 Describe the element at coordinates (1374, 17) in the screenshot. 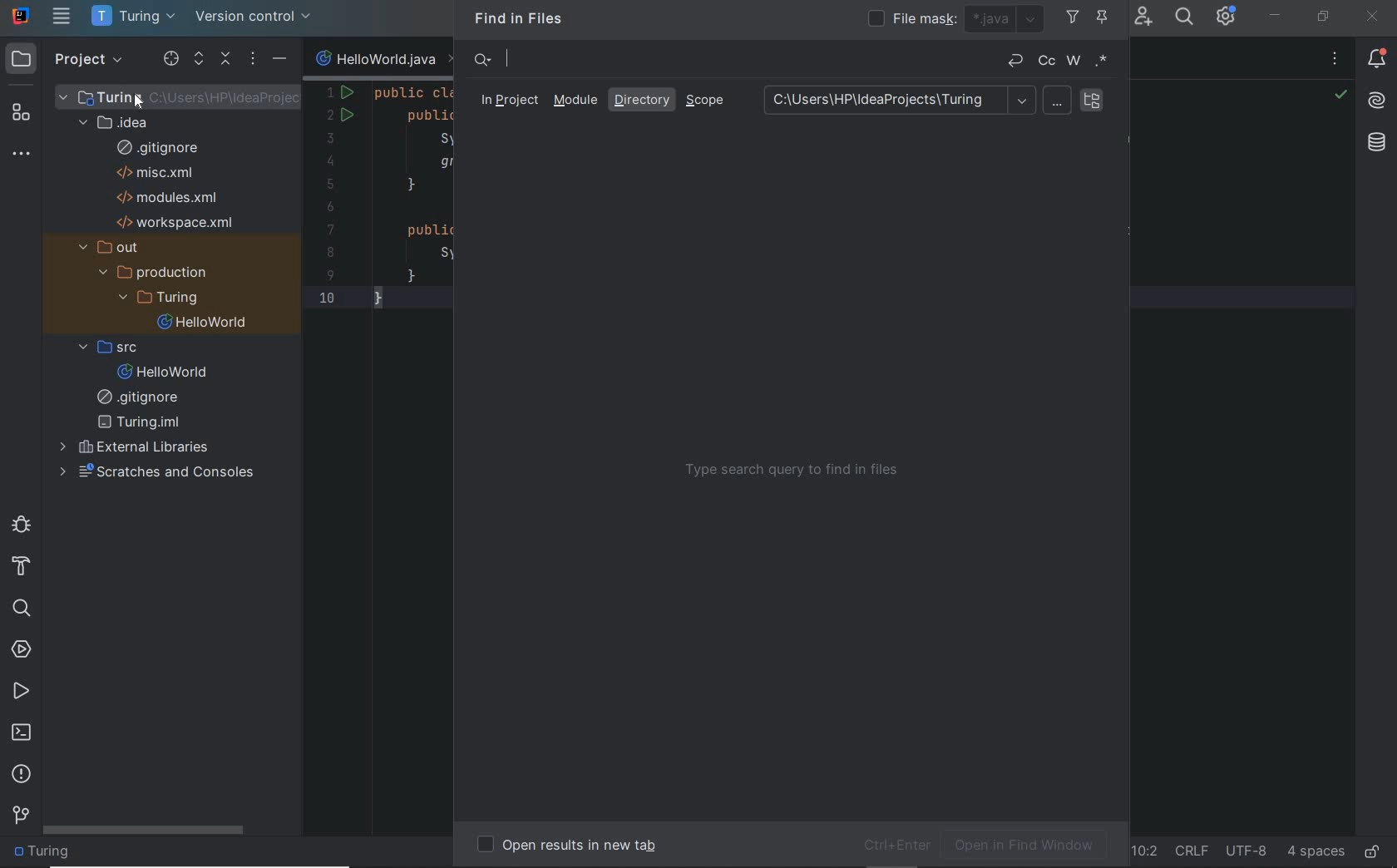

I see `CLOSE` at that location.